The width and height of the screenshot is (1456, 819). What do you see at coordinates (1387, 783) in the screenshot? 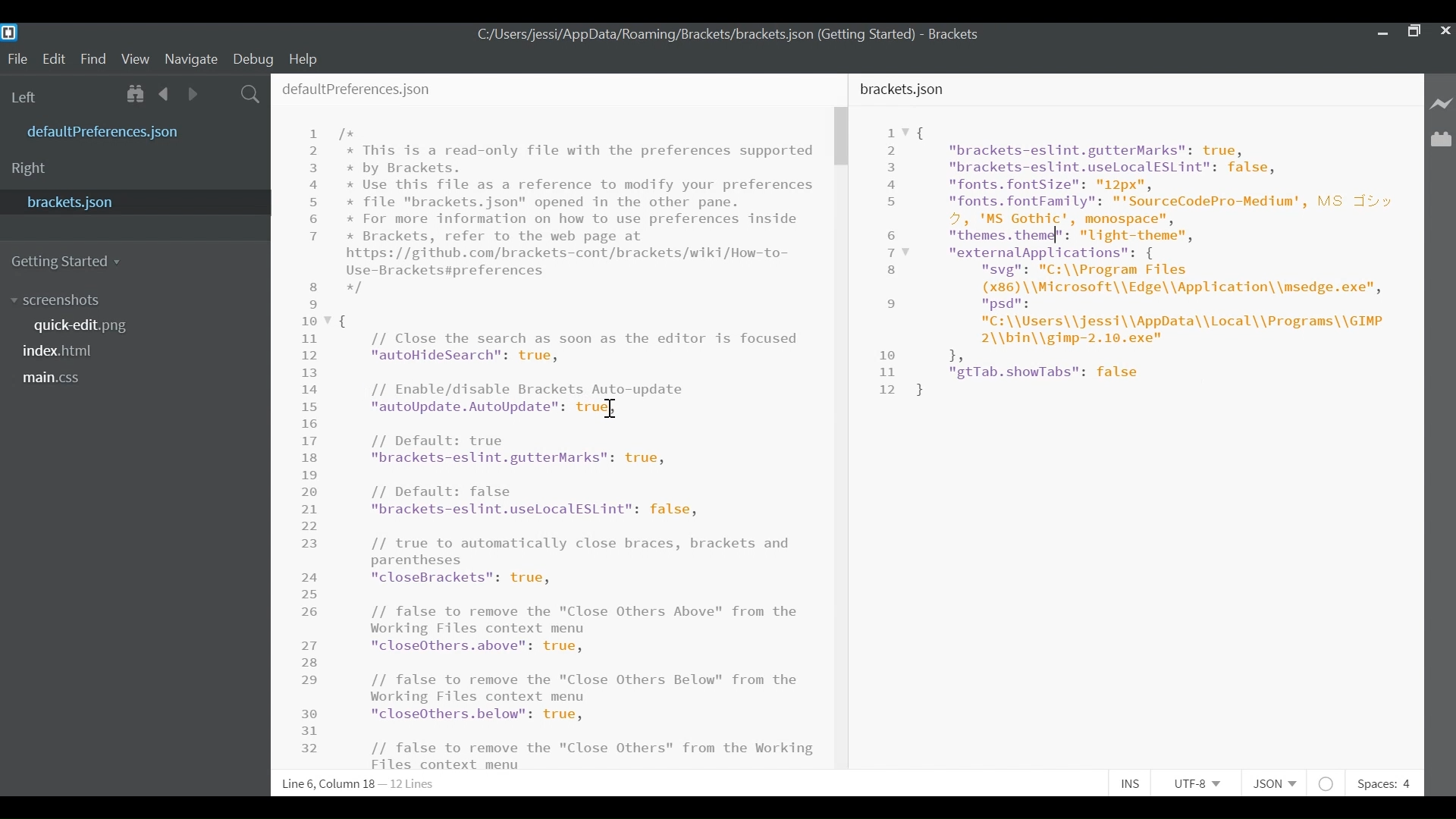
I see `Spaces` at bounding box center [1387, 783].